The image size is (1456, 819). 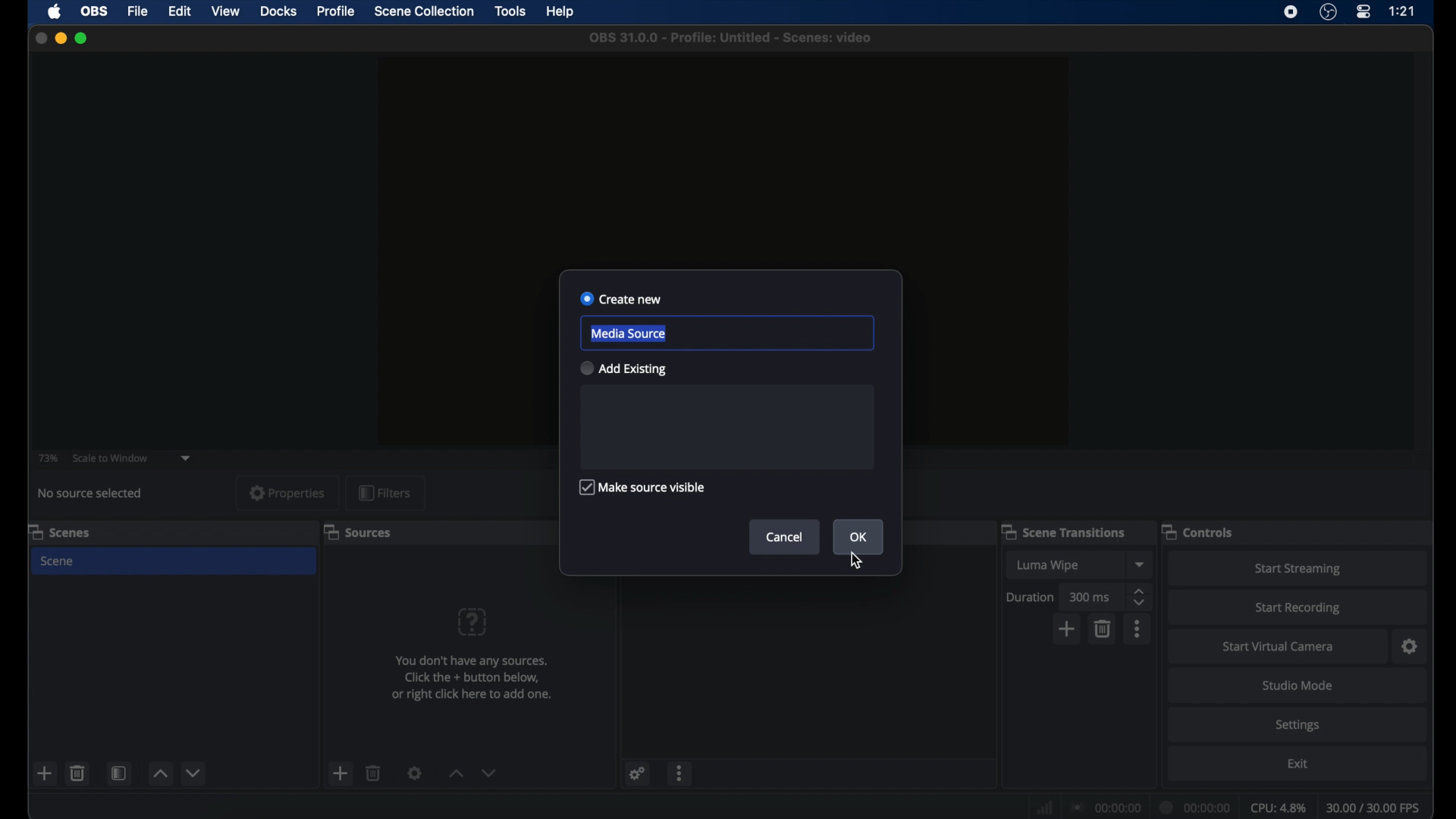 What do you see at coordinates (278, 11) in the screenshot?
I see `docks` at bounding box center [278, 11].